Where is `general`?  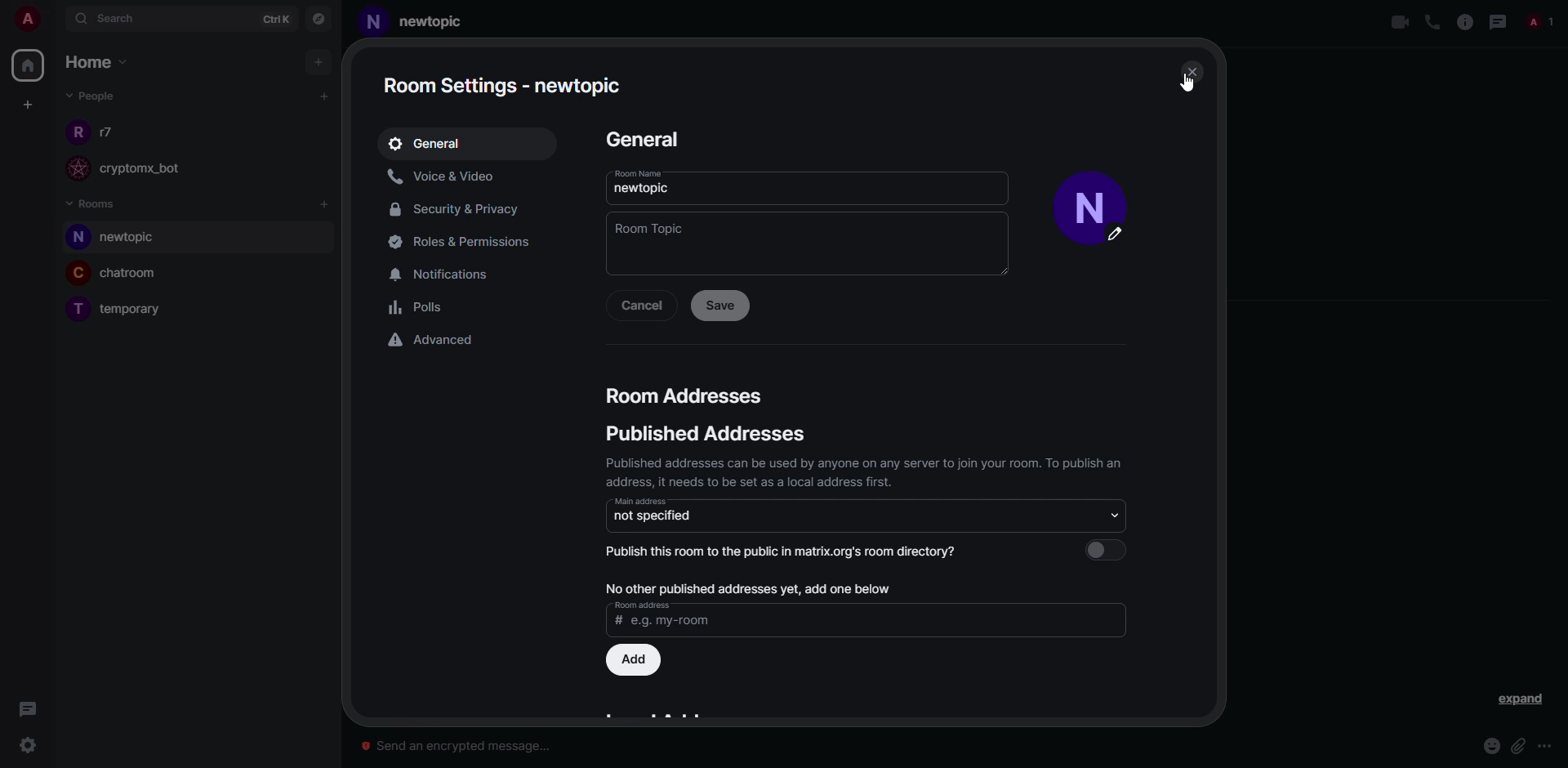
general is located at coordinates (429, 143).